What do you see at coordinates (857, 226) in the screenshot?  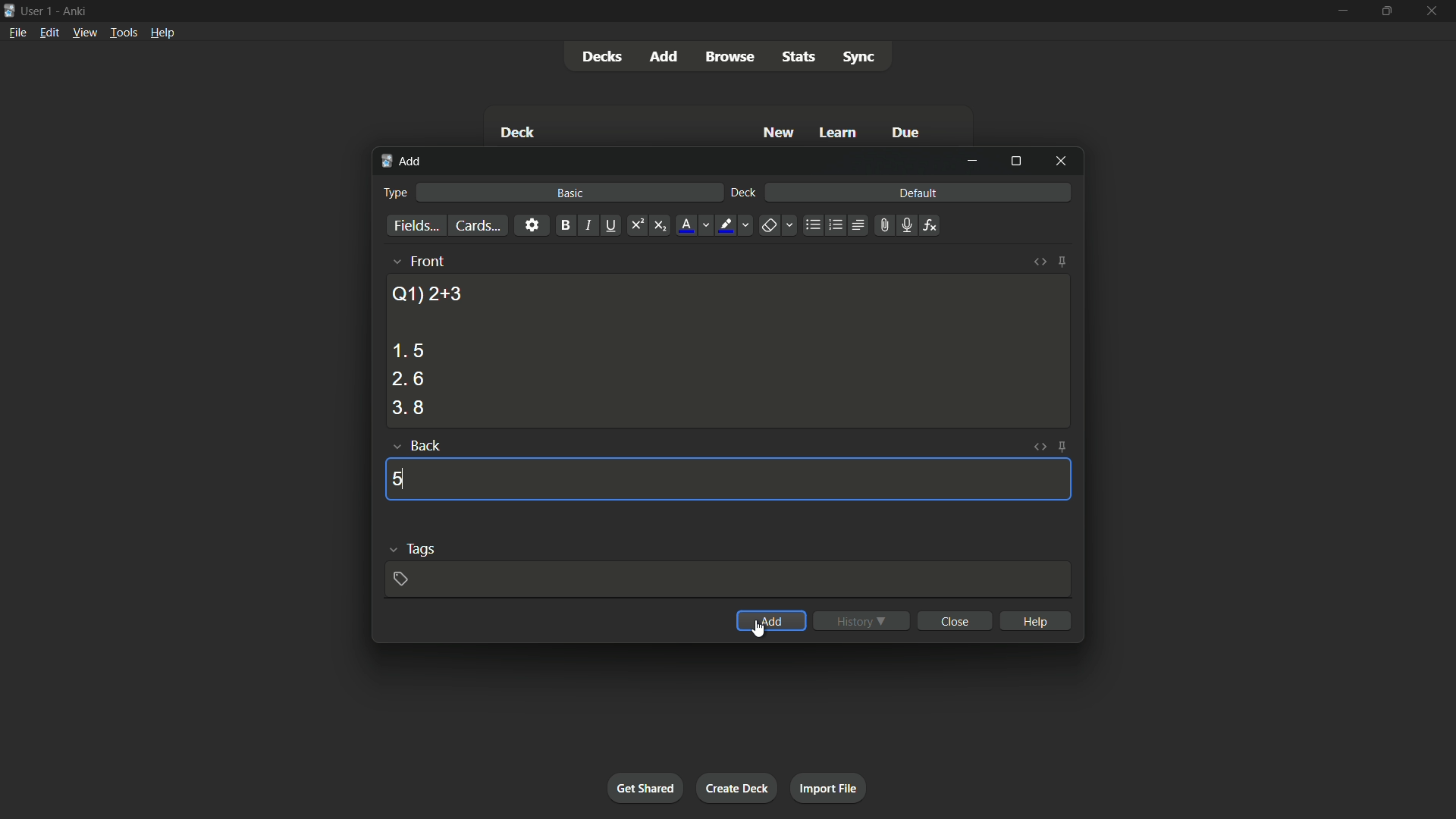 I see `alignment` at bounding box center [857, 226].